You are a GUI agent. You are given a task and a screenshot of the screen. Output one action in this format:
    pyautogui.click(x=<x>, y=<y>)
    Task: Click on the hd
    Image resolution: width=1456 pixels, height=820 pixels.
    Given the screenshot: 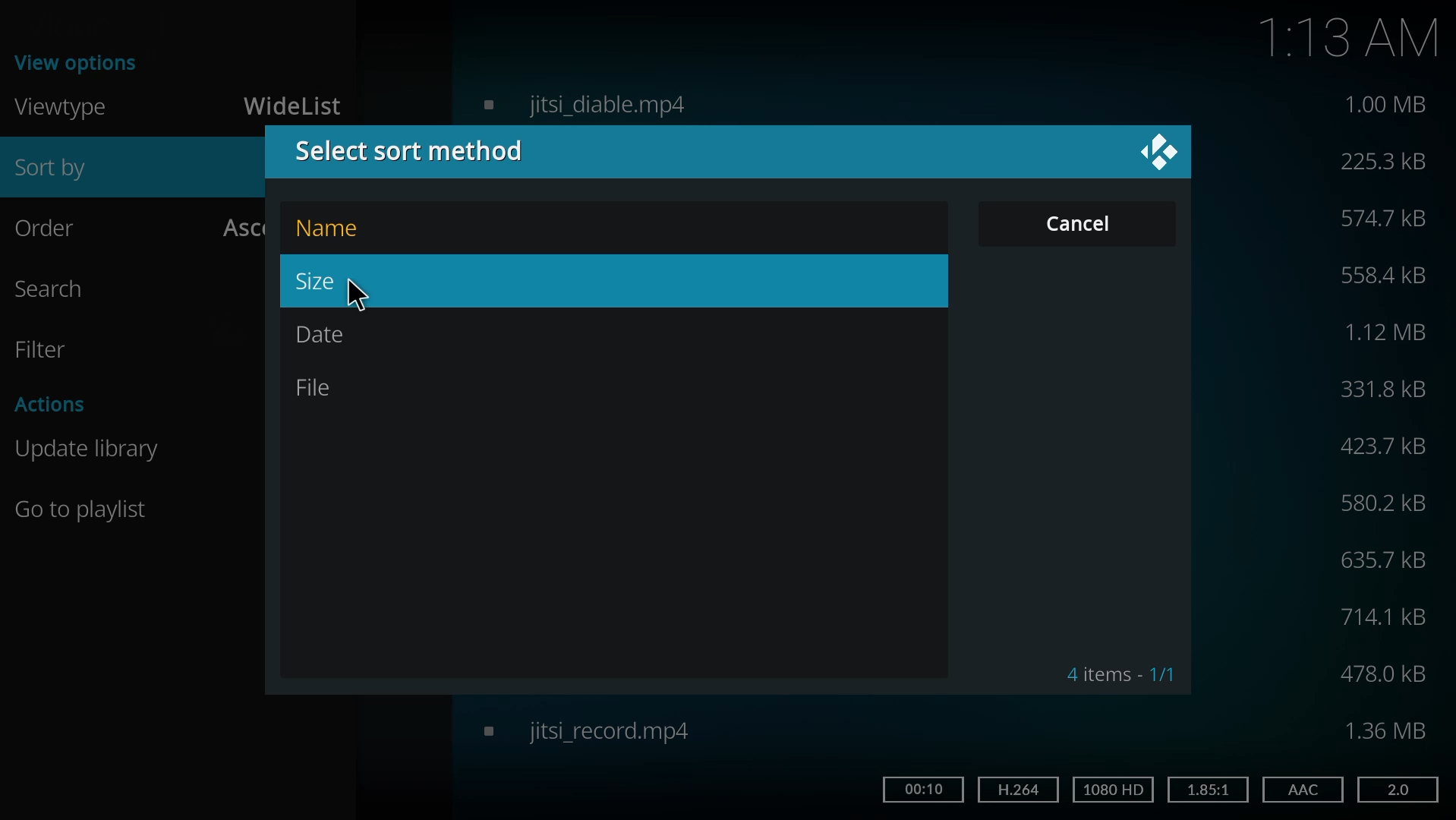 What is the action you would take?
    pyautogui.click(x=1111, y=790)
    